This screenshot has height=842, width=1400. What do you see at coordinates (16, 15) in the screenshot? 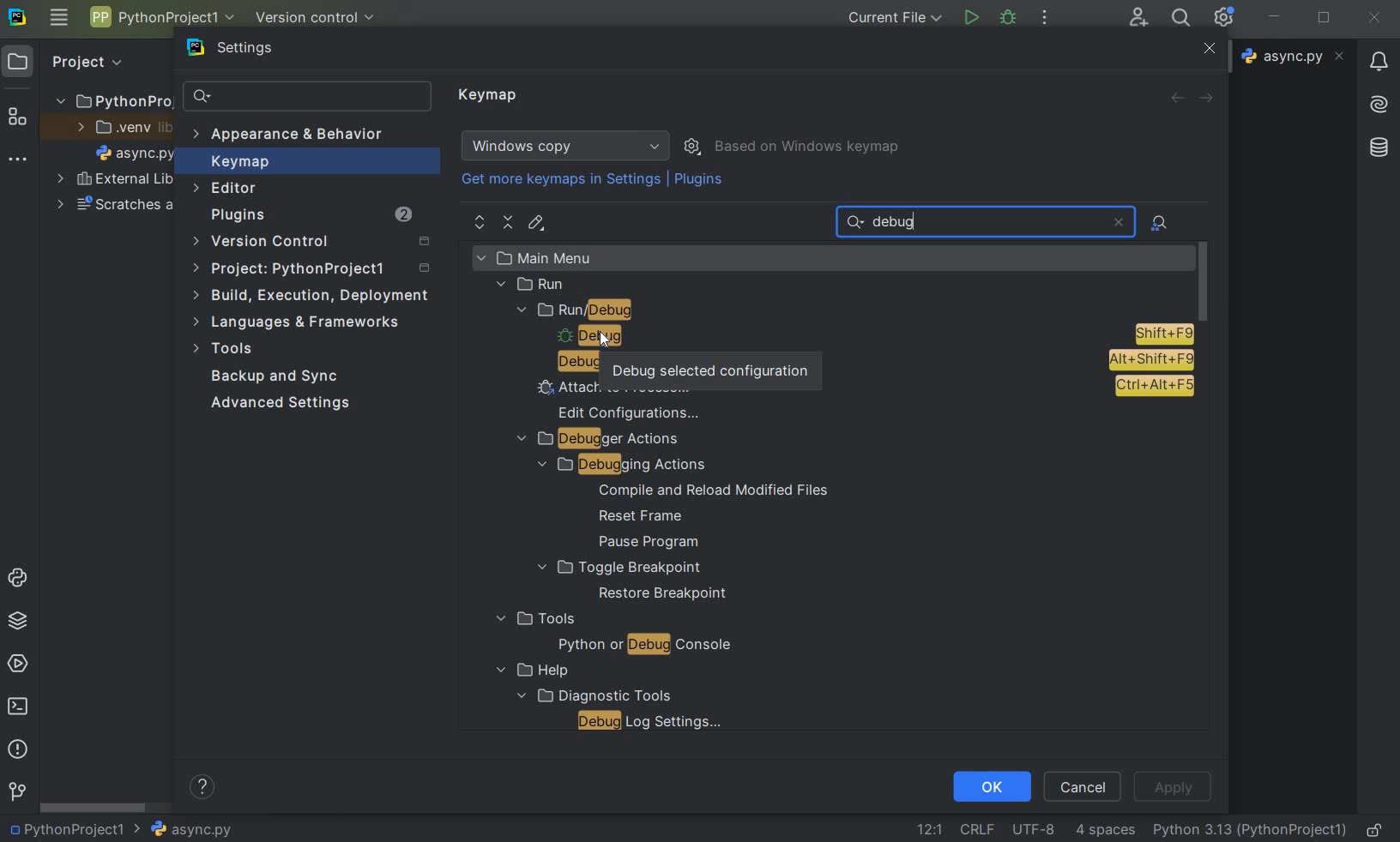
I see `system logo` at bounding box center [16, 15].